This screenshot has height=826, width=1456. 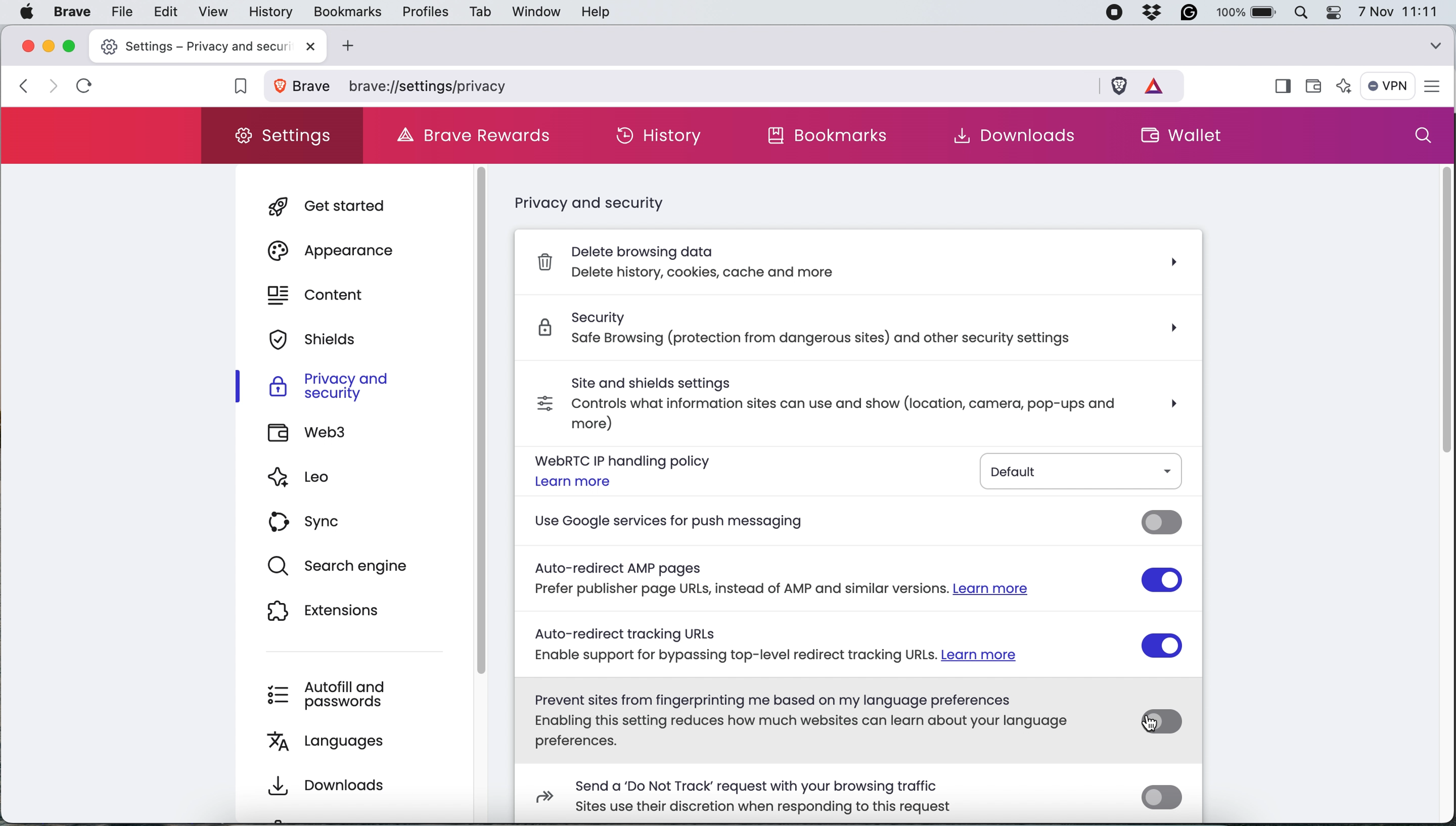 I want to click on delete browsing data delete history, cookies, cache and more, so click(x=859, y=266).